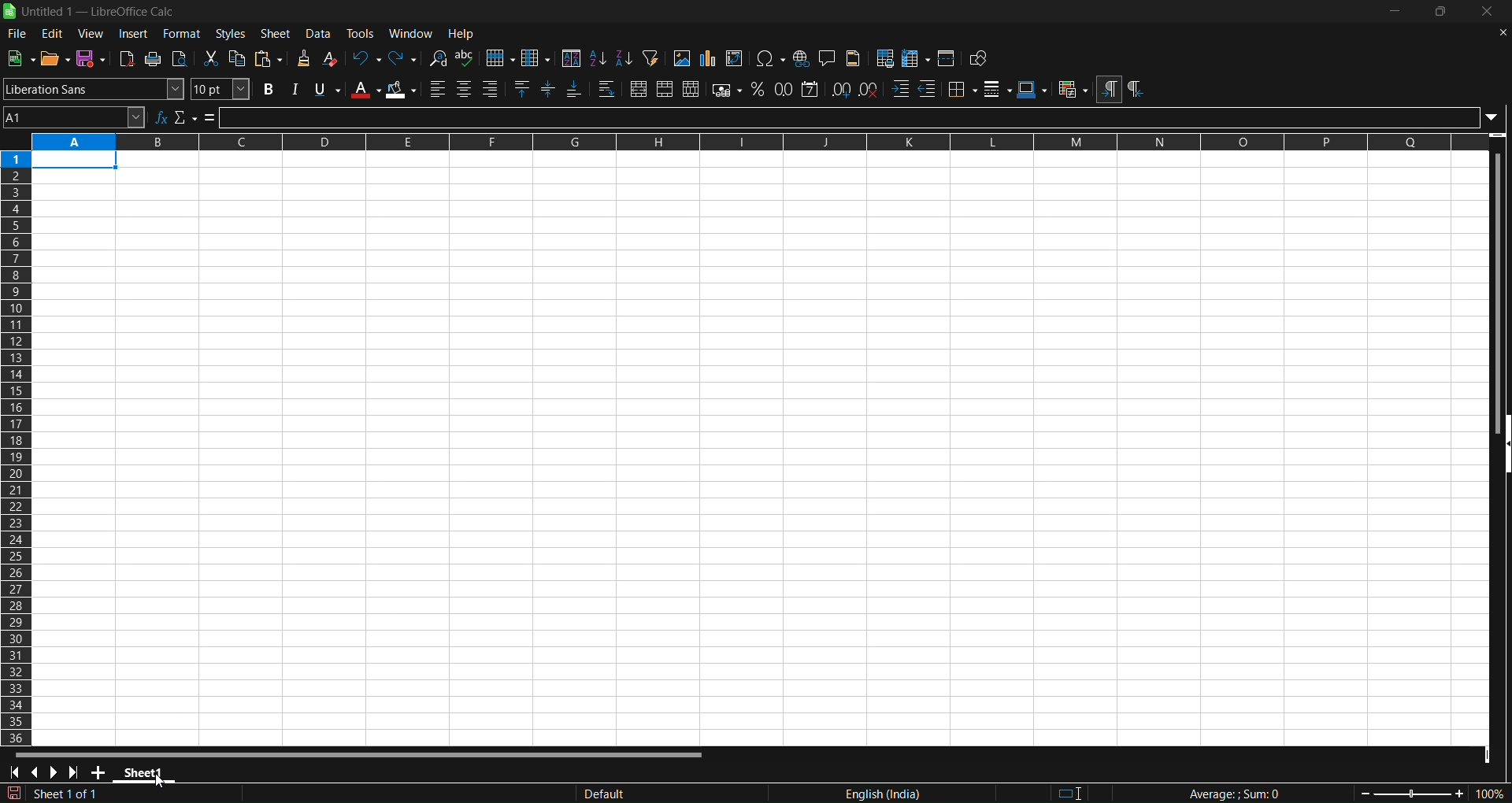 The width and height of the screenshot is (1512, 803). I want to click on tools, so click(364, 33).